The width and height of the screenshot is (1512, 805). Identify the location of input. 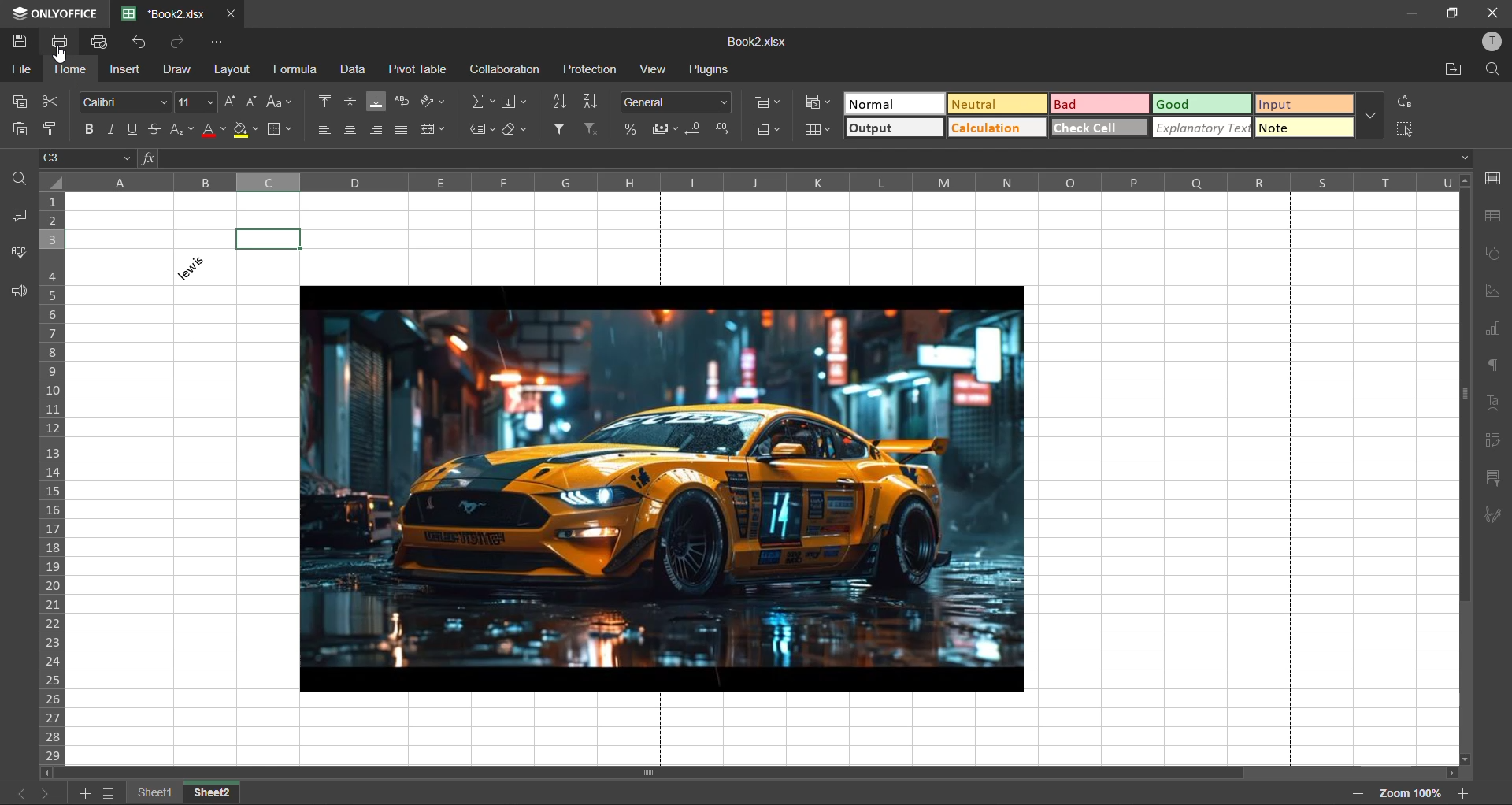
(1303, 106).